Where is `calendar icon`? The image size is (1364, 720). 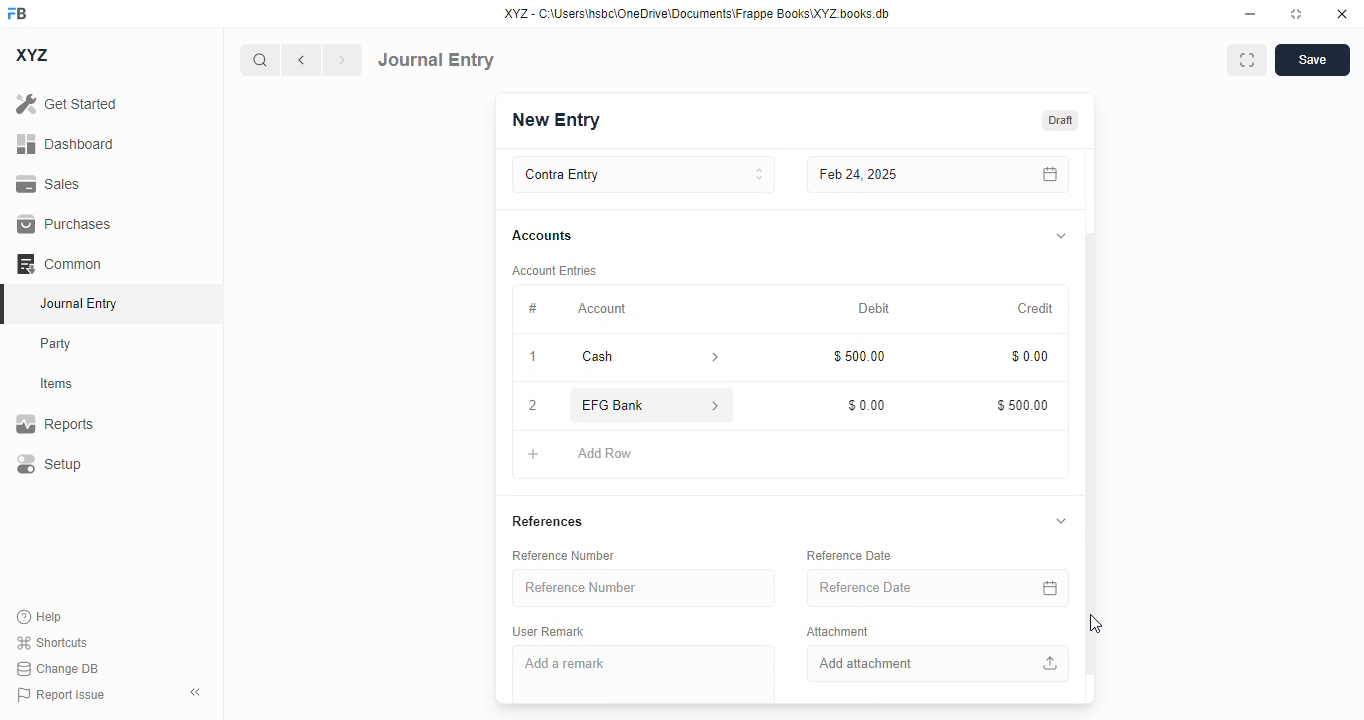 calendar icon is located at coordinates (1047, 588).